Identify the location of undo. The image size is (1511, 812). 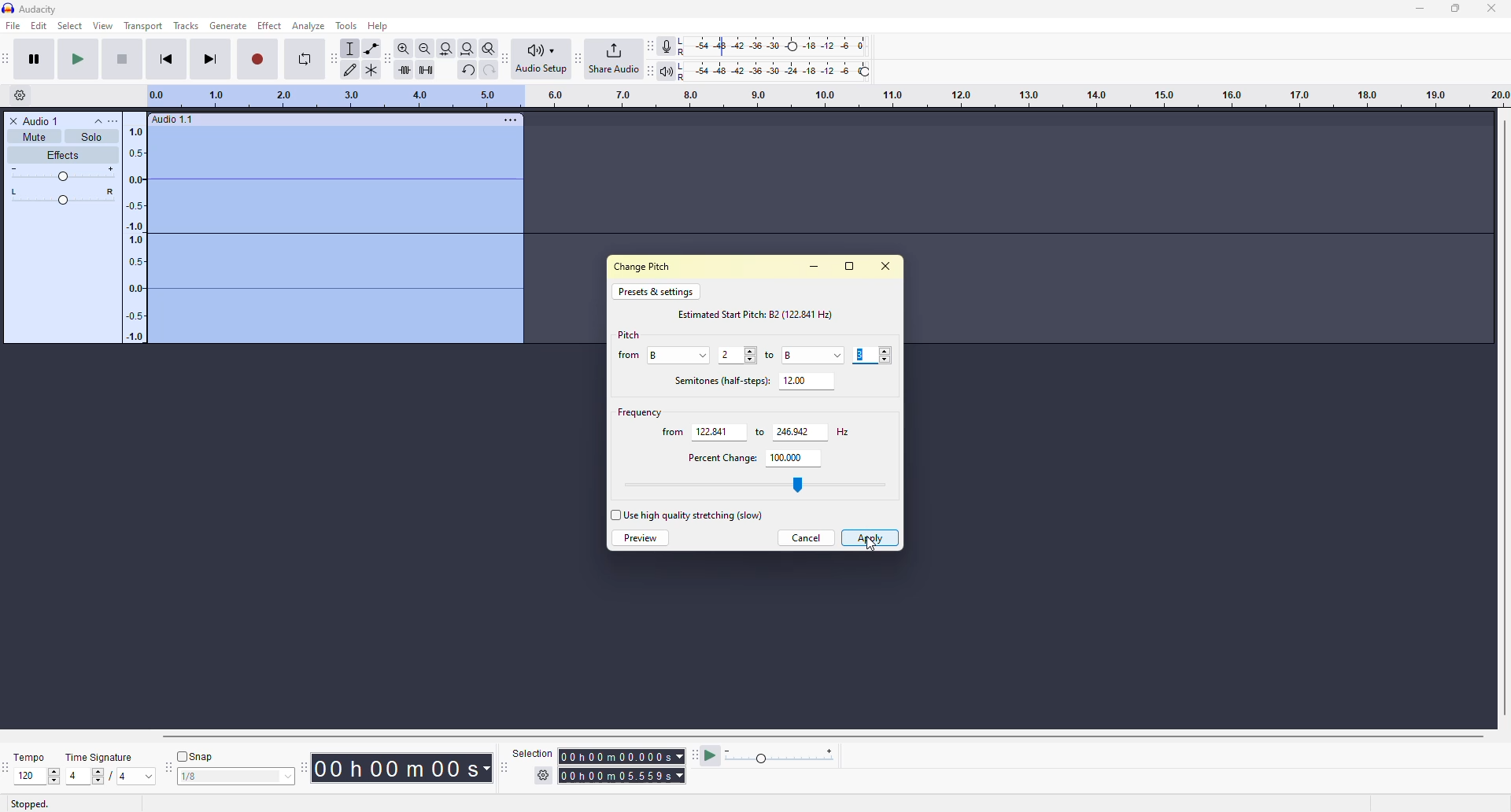
(467, 70).